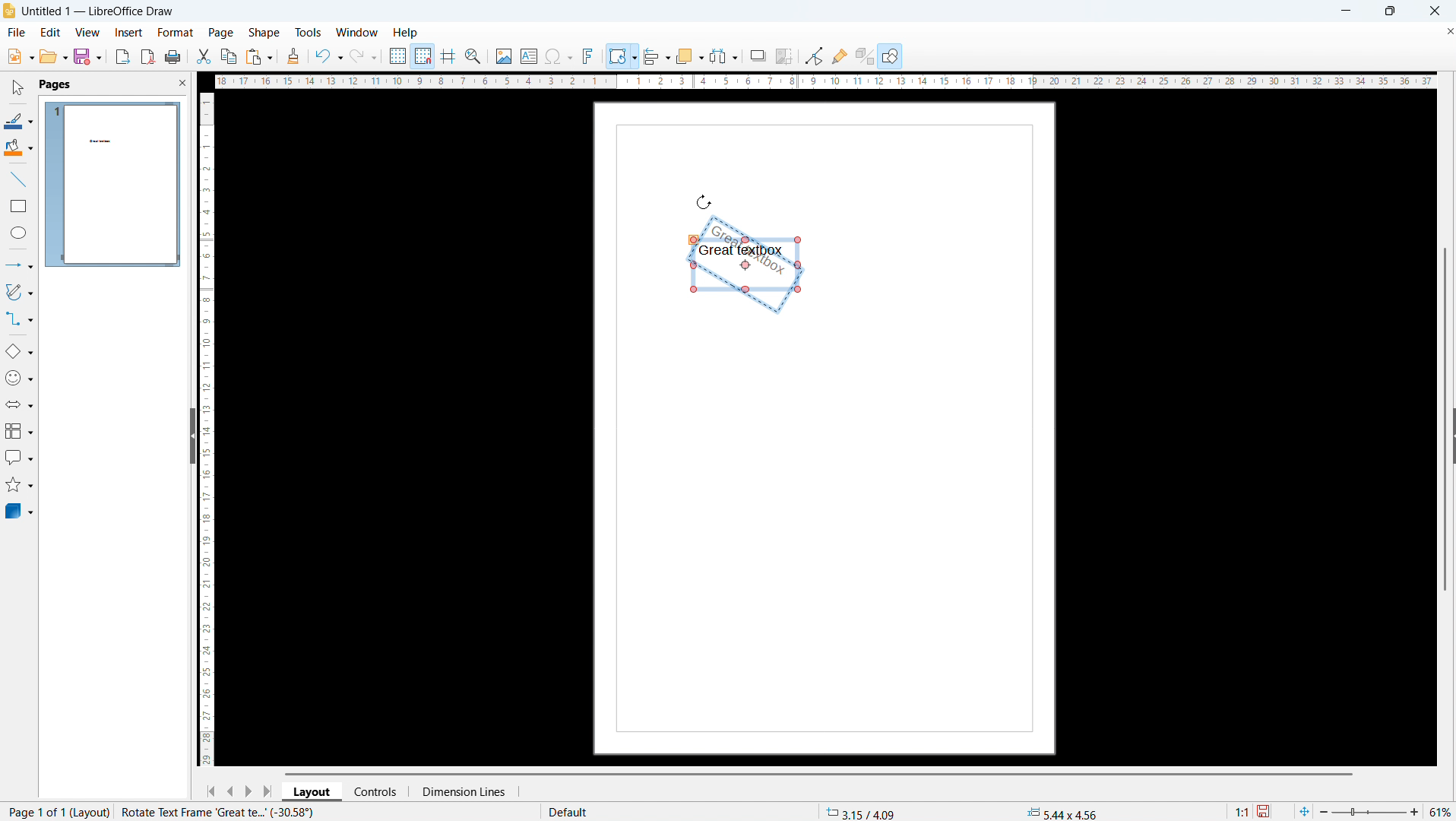 The image size is (1456, 821). What do you see at coordinates (19, 205) in the screenshot?
I see `rectangle` at bounding box center [19, 205].